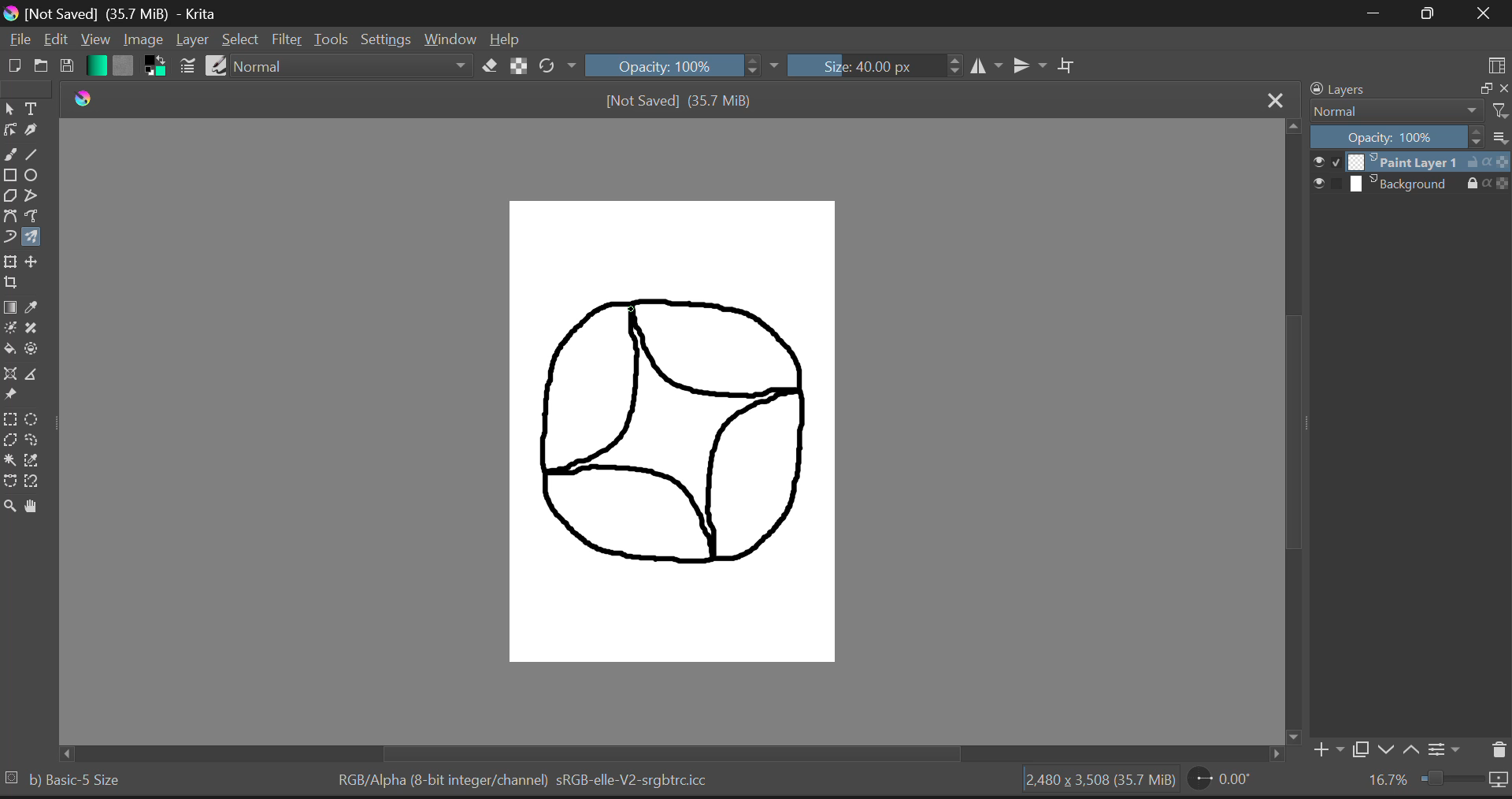 The height and width of the screenshot is (799, 1512). Describe the element at coordinates (387, 40) in the screenshot. I see `Settings` at that location.